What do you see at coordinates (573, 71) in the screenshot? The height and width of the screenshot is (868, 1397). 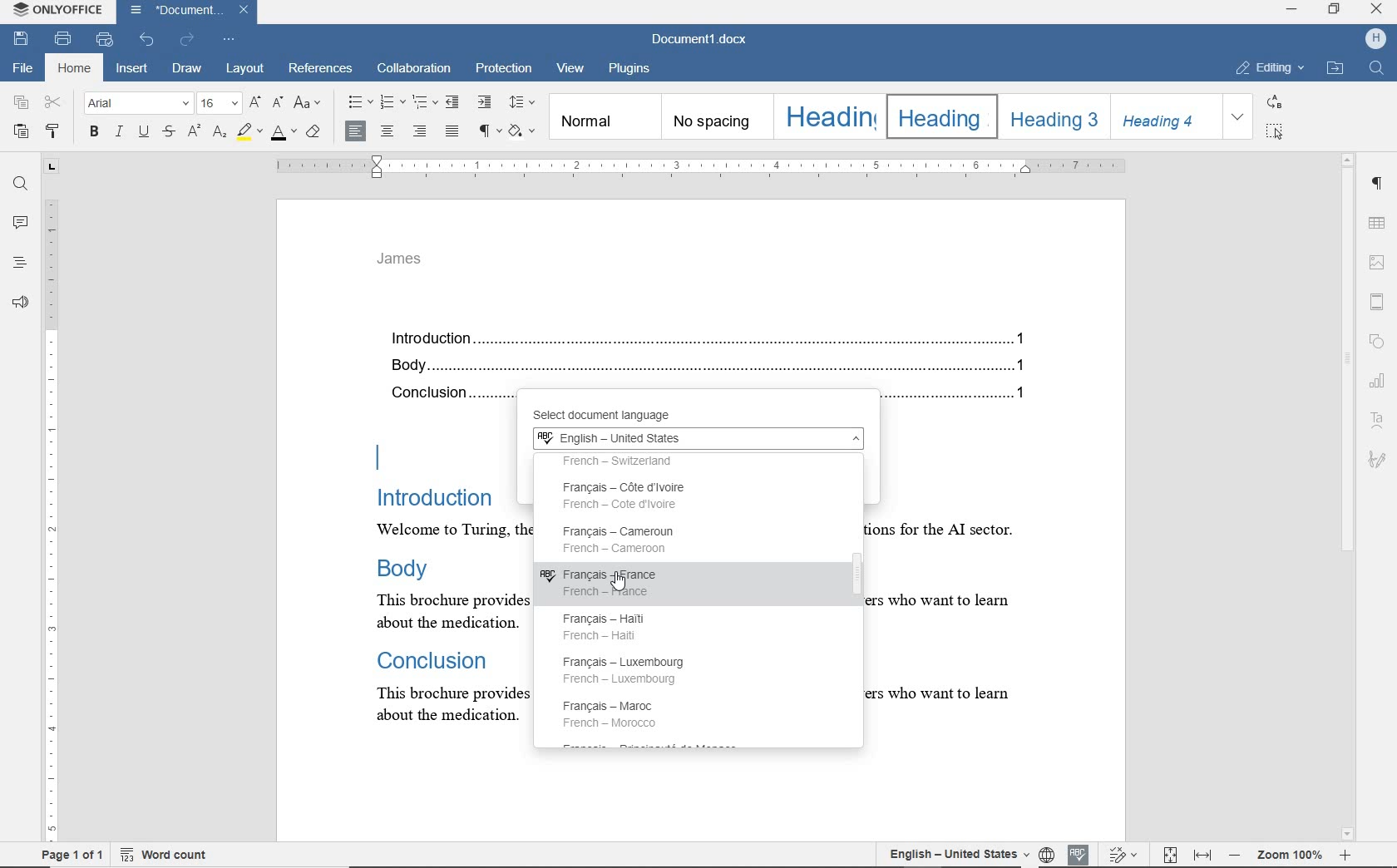 I see `view` at bounding box center [573, 71].